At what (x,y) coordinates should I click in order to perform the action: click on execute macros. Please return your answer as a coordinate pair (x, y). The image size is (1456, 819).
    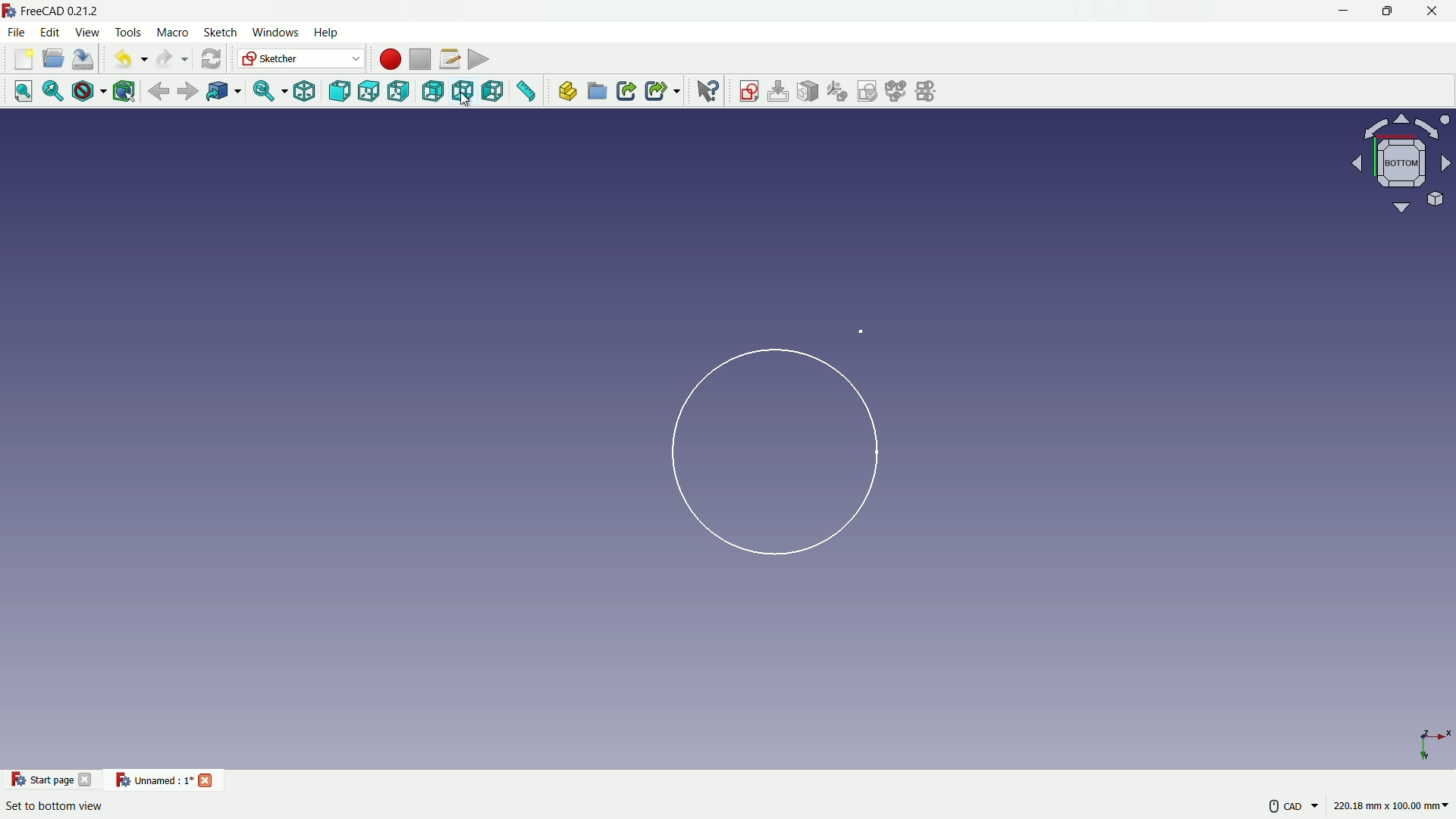
    Looking at the image, I should click on (480, 58).